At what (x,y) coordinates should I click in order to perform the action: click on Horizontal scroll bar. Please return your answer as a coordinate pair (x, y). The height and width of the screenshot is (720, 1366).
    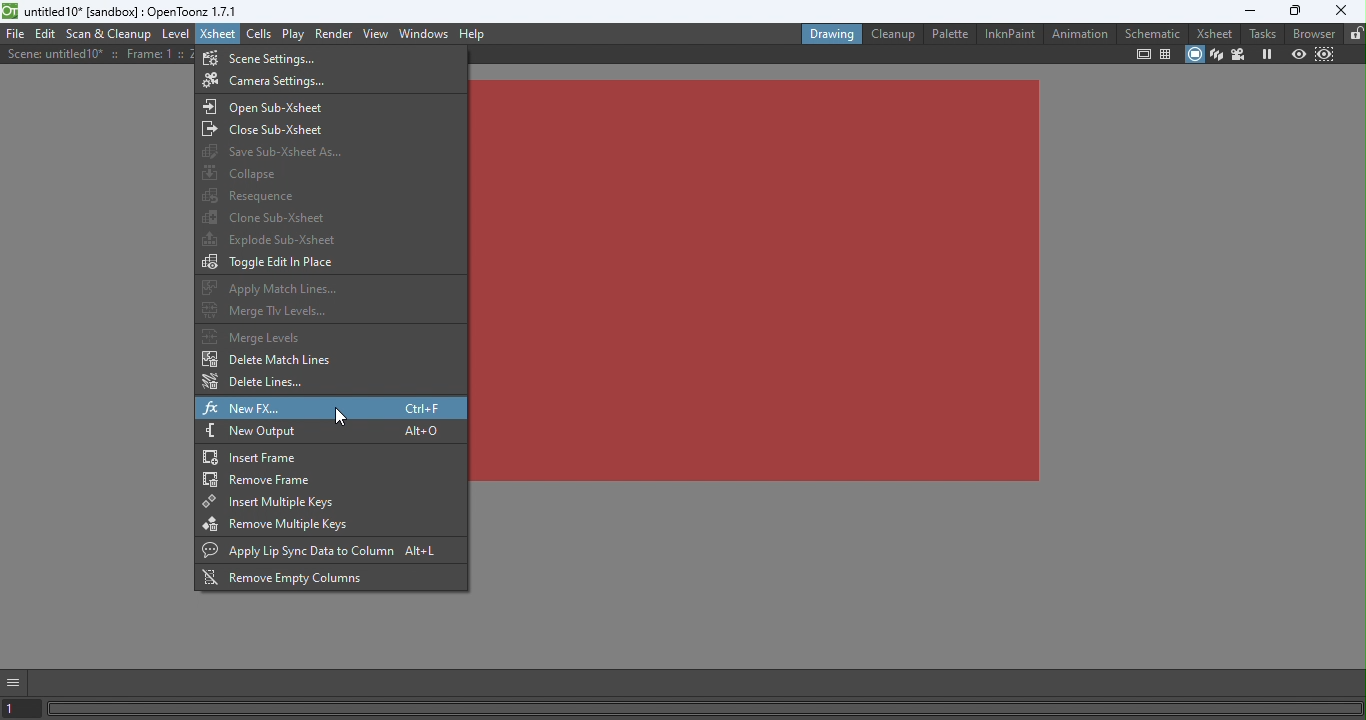
    Looking at the image, I should click on (706, 708).